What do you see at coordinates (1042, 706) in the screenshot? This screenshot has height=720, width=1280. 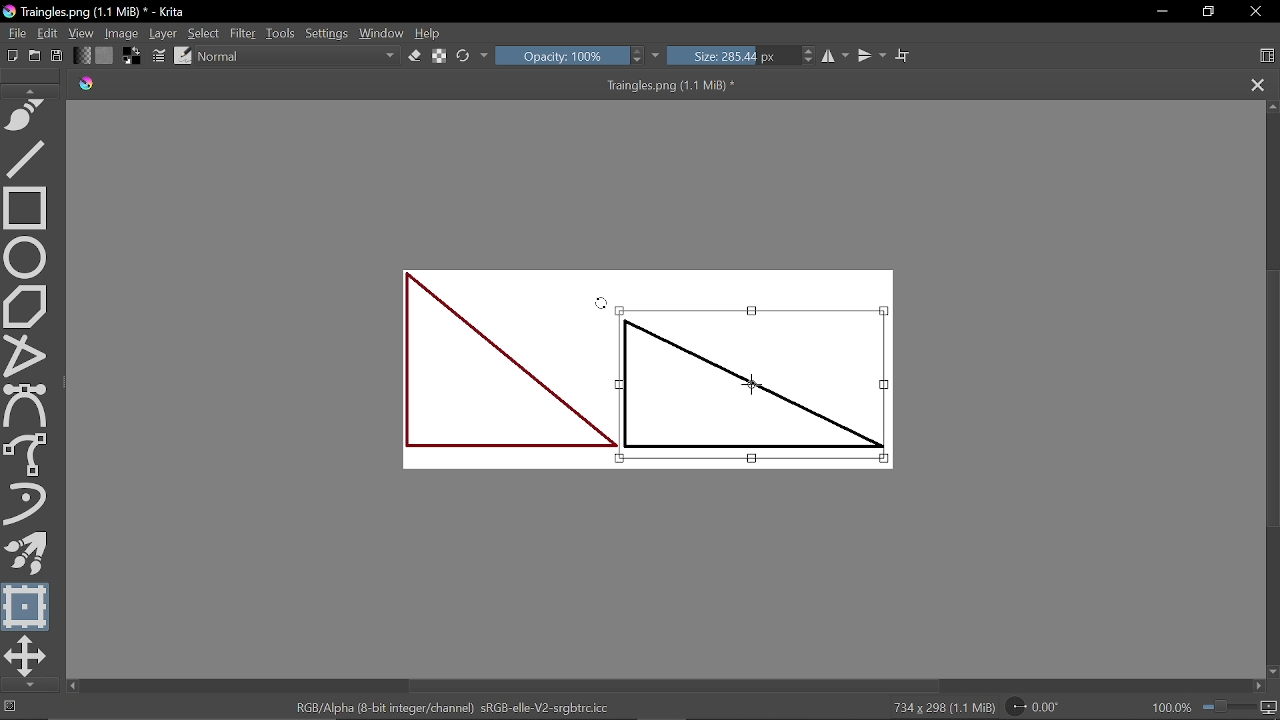 I see `Rotate` at bounding box center [1042, 706].